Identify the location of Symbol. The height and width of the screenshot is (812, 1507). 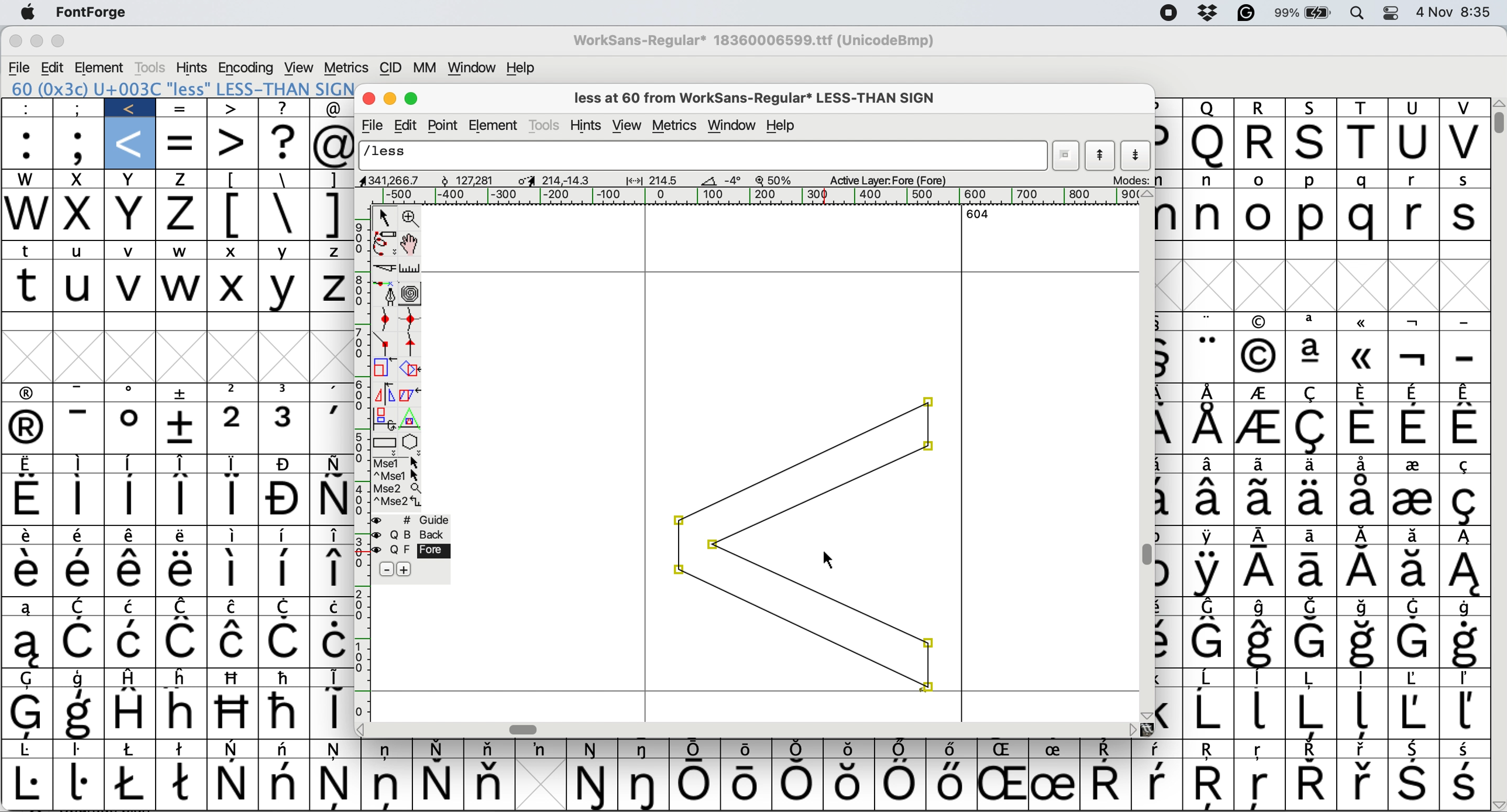
(29, 784).